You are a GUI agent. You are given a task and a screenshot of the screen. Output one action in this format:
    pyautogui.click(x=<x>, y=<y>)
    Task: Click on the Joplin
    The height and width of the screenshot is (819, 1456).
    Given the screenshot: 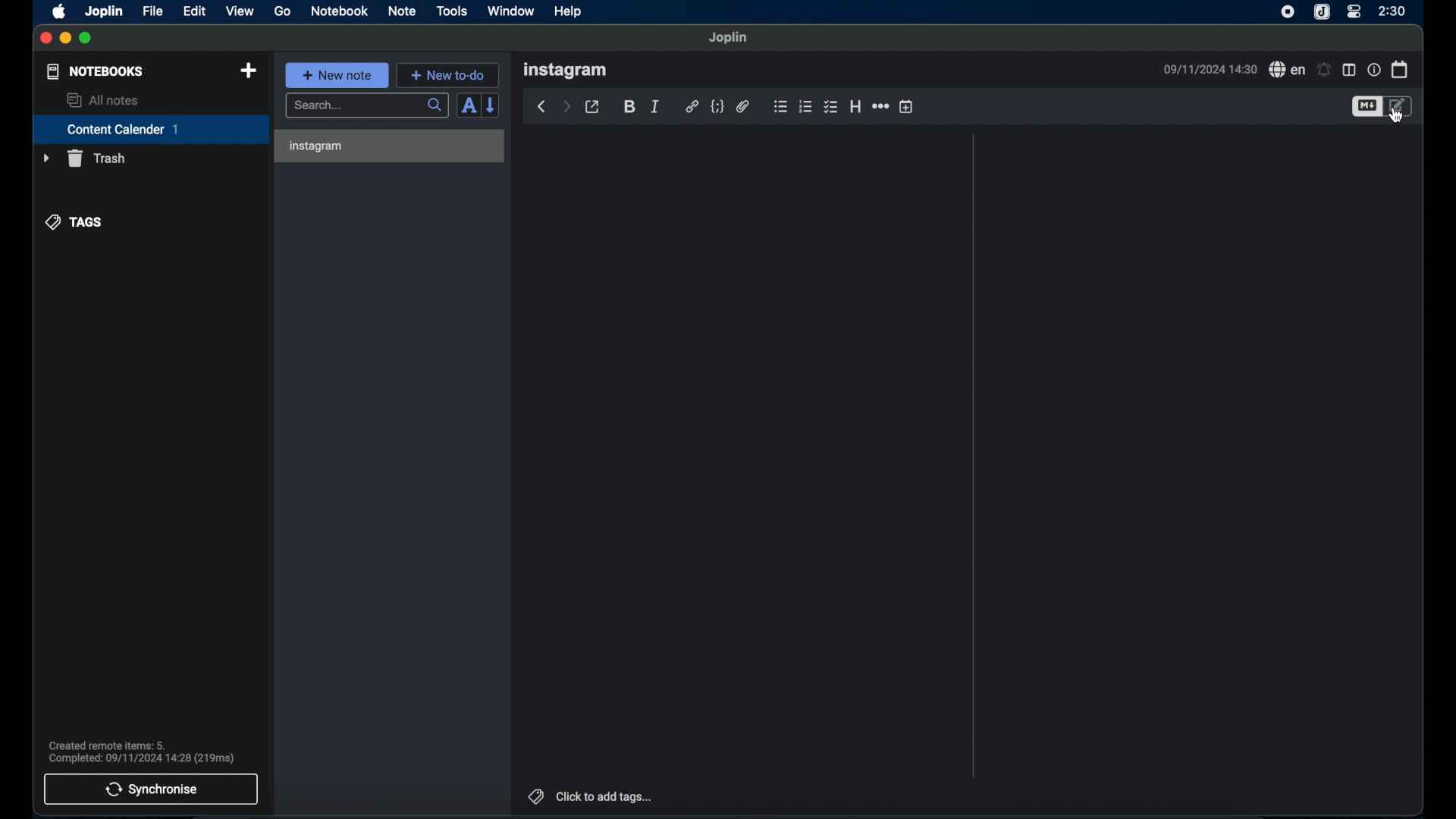 What is the action you would take?
    pyautogui.click(x=729, y=38)
    